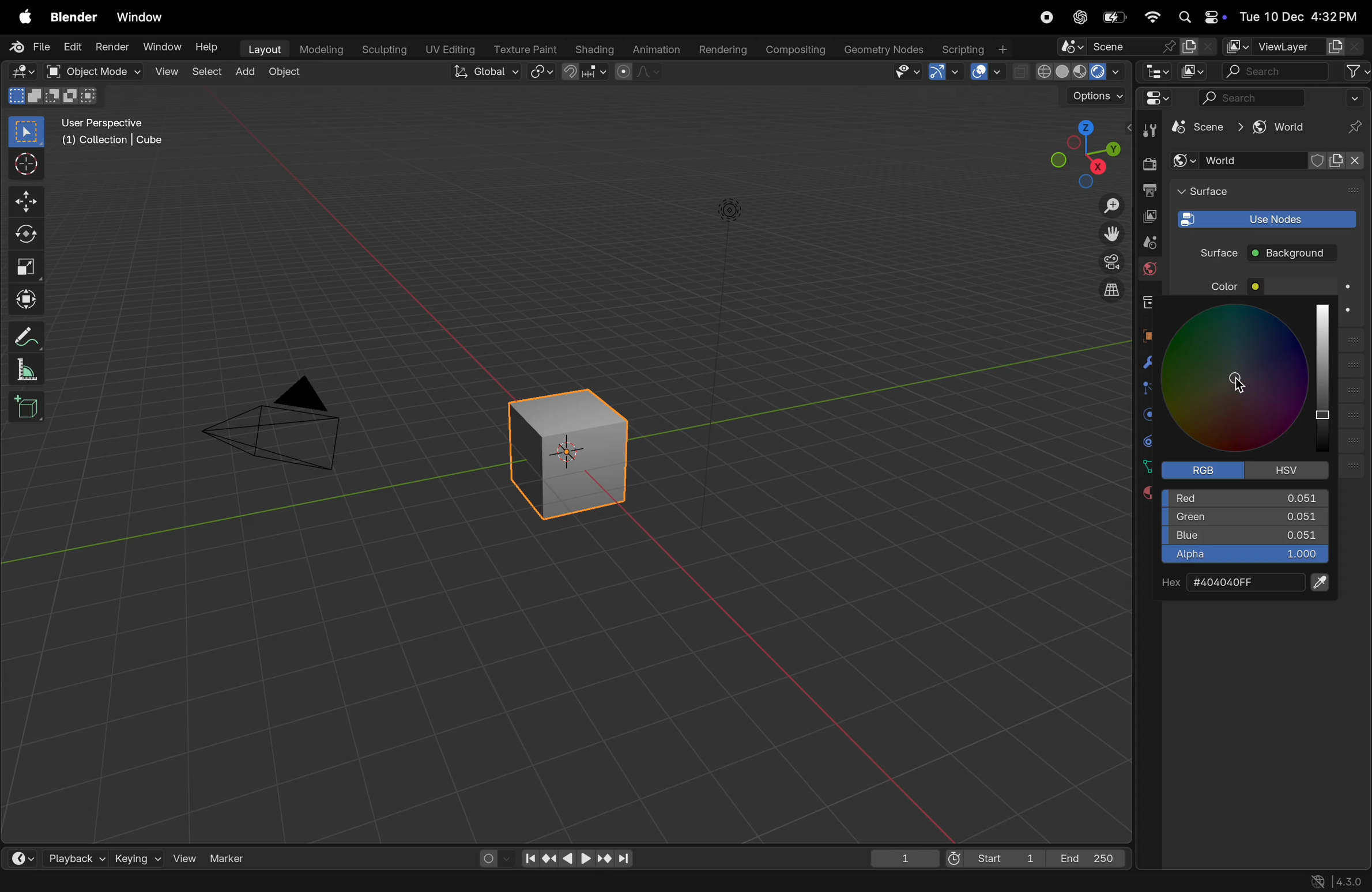 The image size is (1372, 892). What do you see at coordinates (29, 334) in the screenshot?
I see `annotate` at bounding box center [29, 334].